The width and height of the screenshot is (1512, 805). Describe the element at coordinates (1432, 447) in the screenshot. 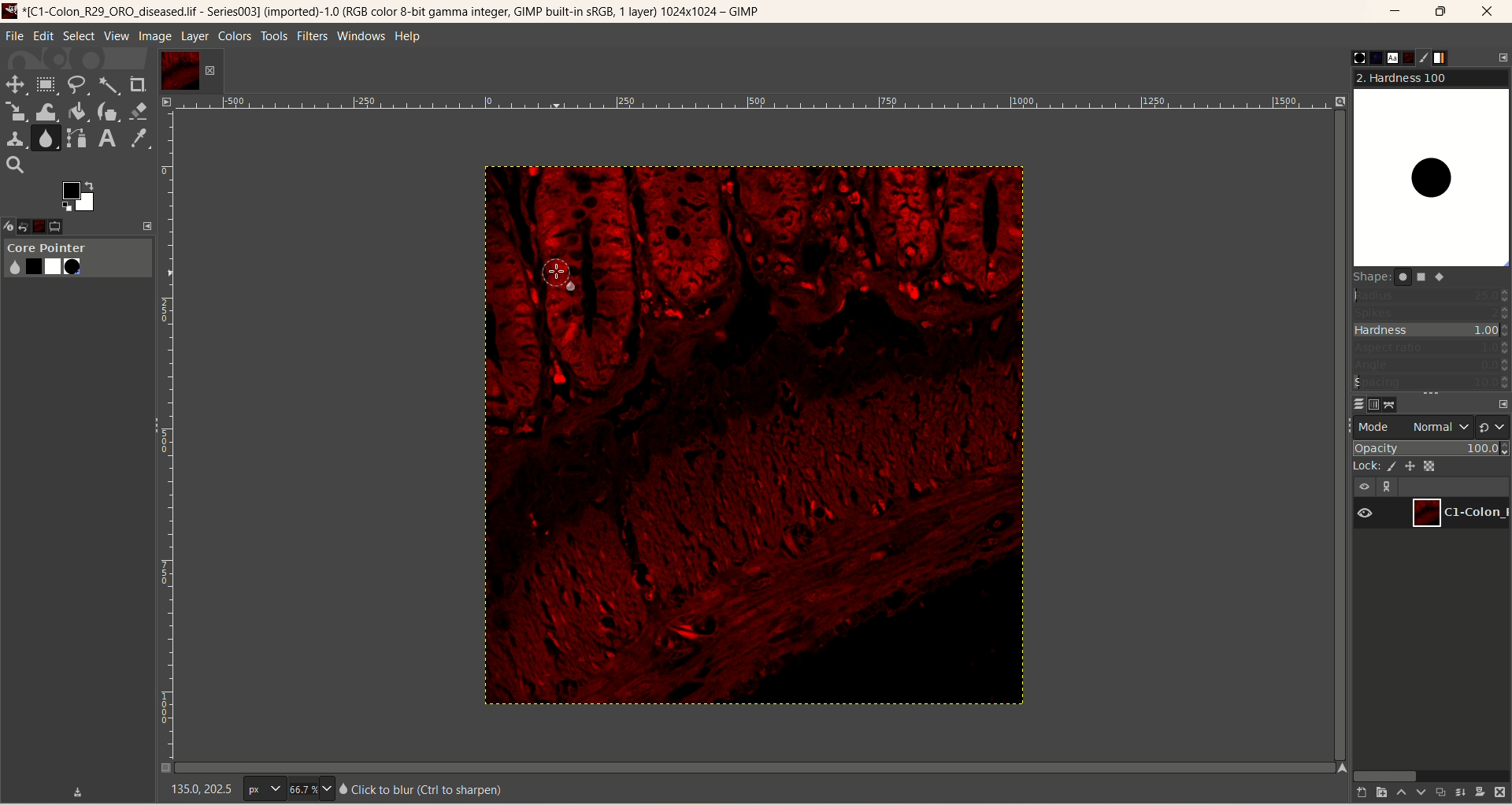

I see `opacity` at that location.